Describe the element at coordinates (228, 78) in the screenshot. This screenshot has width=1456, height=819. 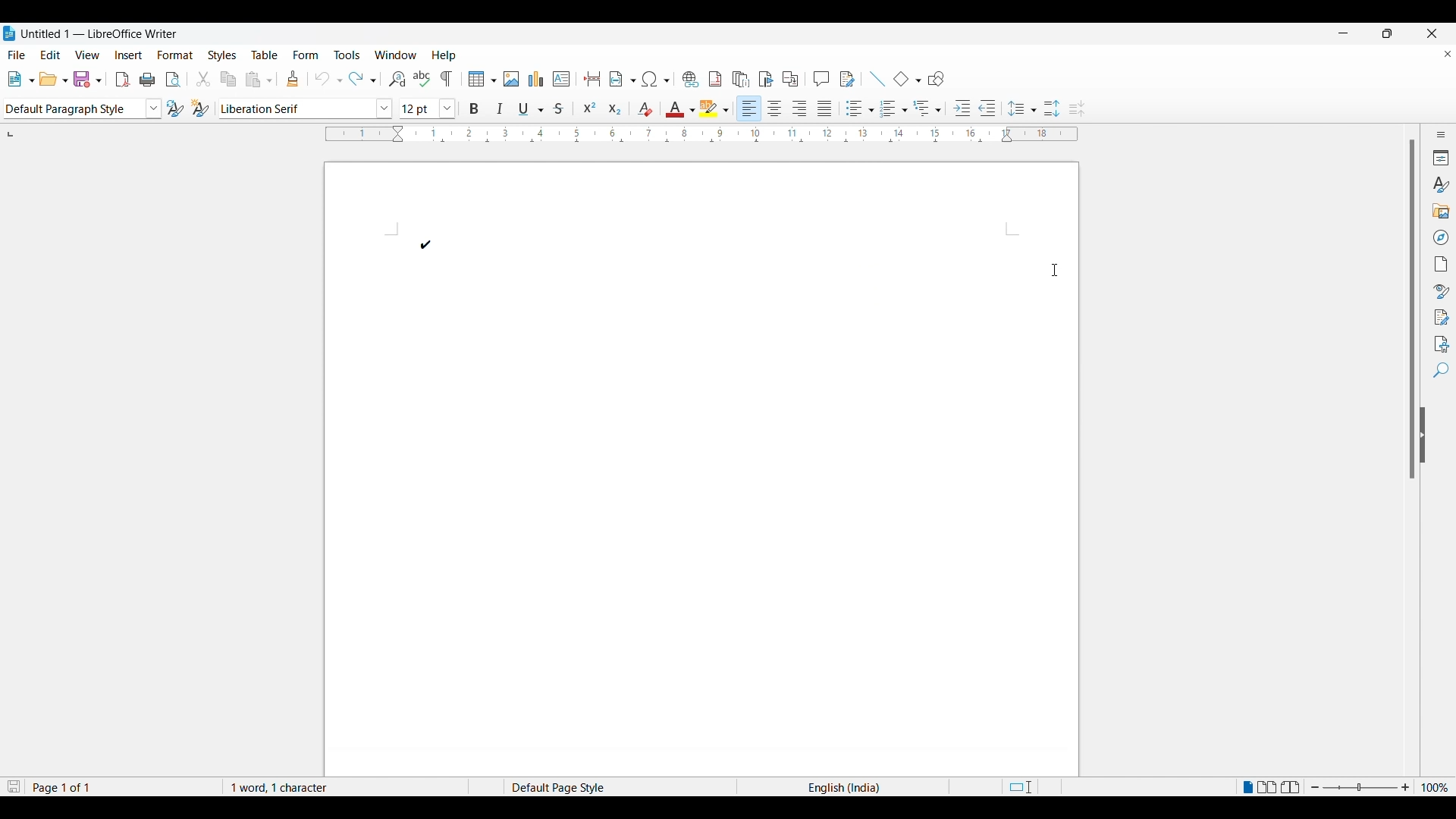
I see `copy` at that location.